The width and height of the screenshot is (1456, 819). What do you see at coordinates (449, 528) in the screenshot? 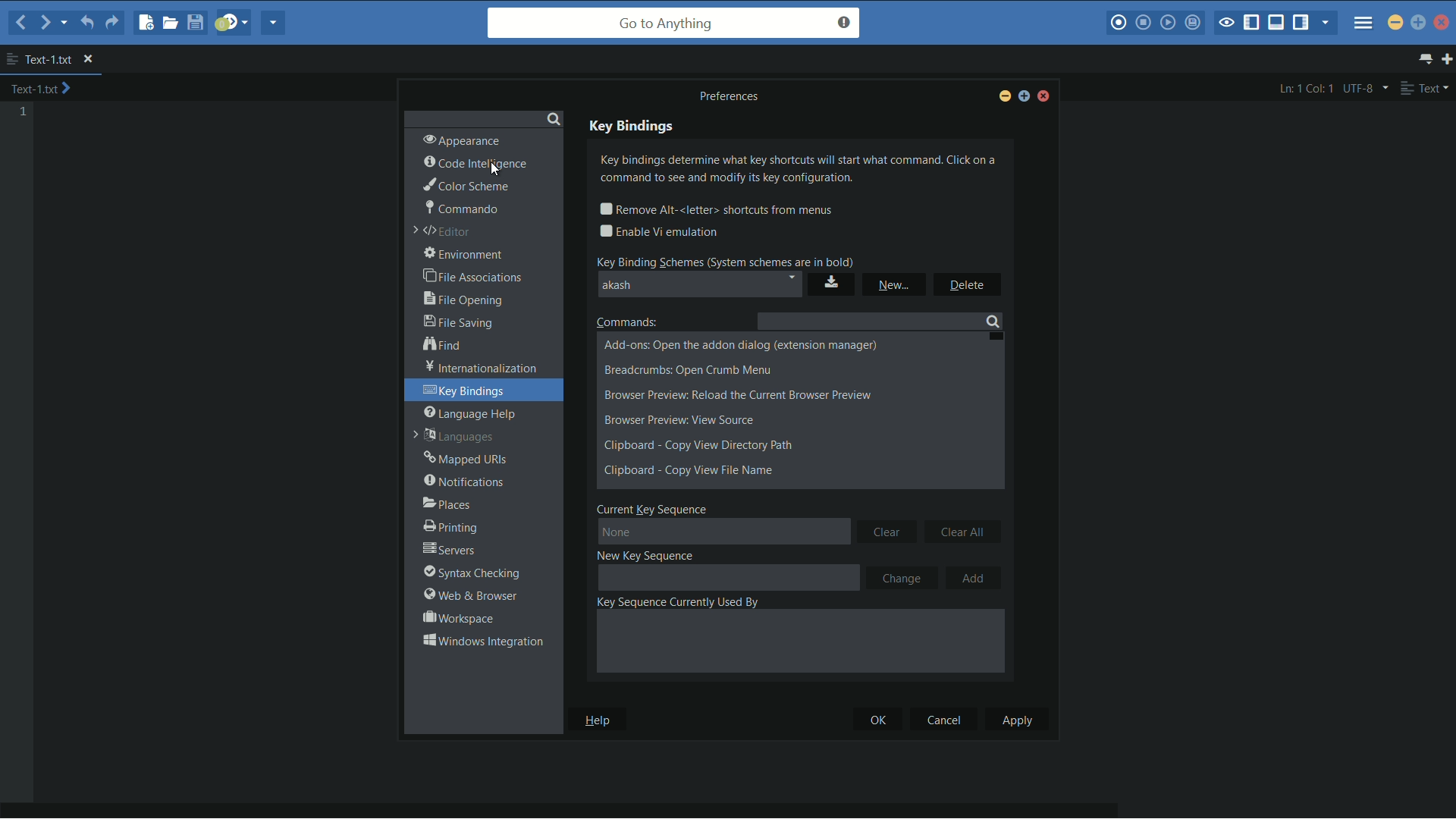
I see `printing` at bounding box center [449, 528].